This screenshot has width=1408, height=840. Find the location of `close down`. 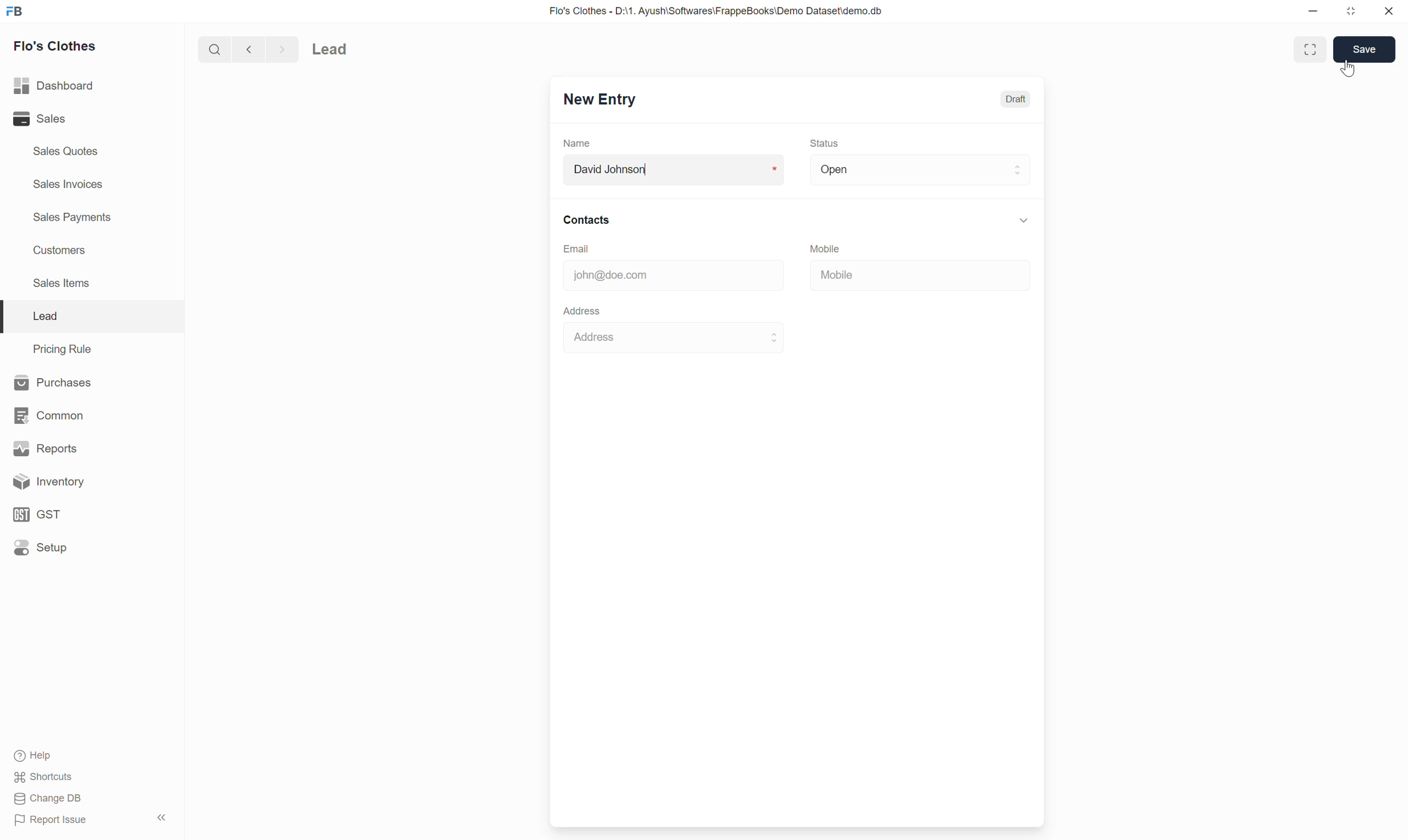

close down is located at coordinates (1352, 10).